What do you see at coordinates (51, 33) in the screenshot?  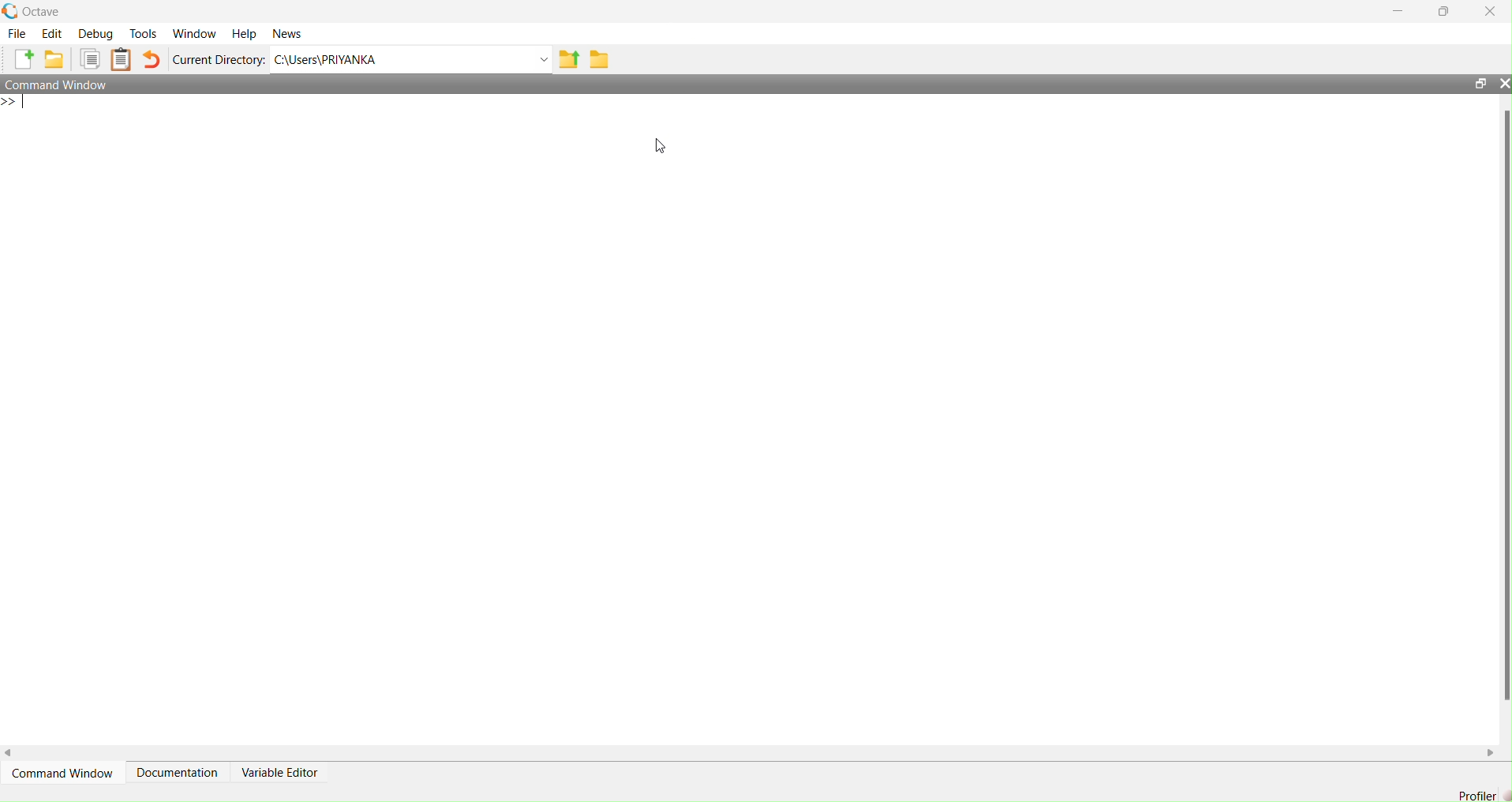 I see `Edit` at bounding box center [51, 33].